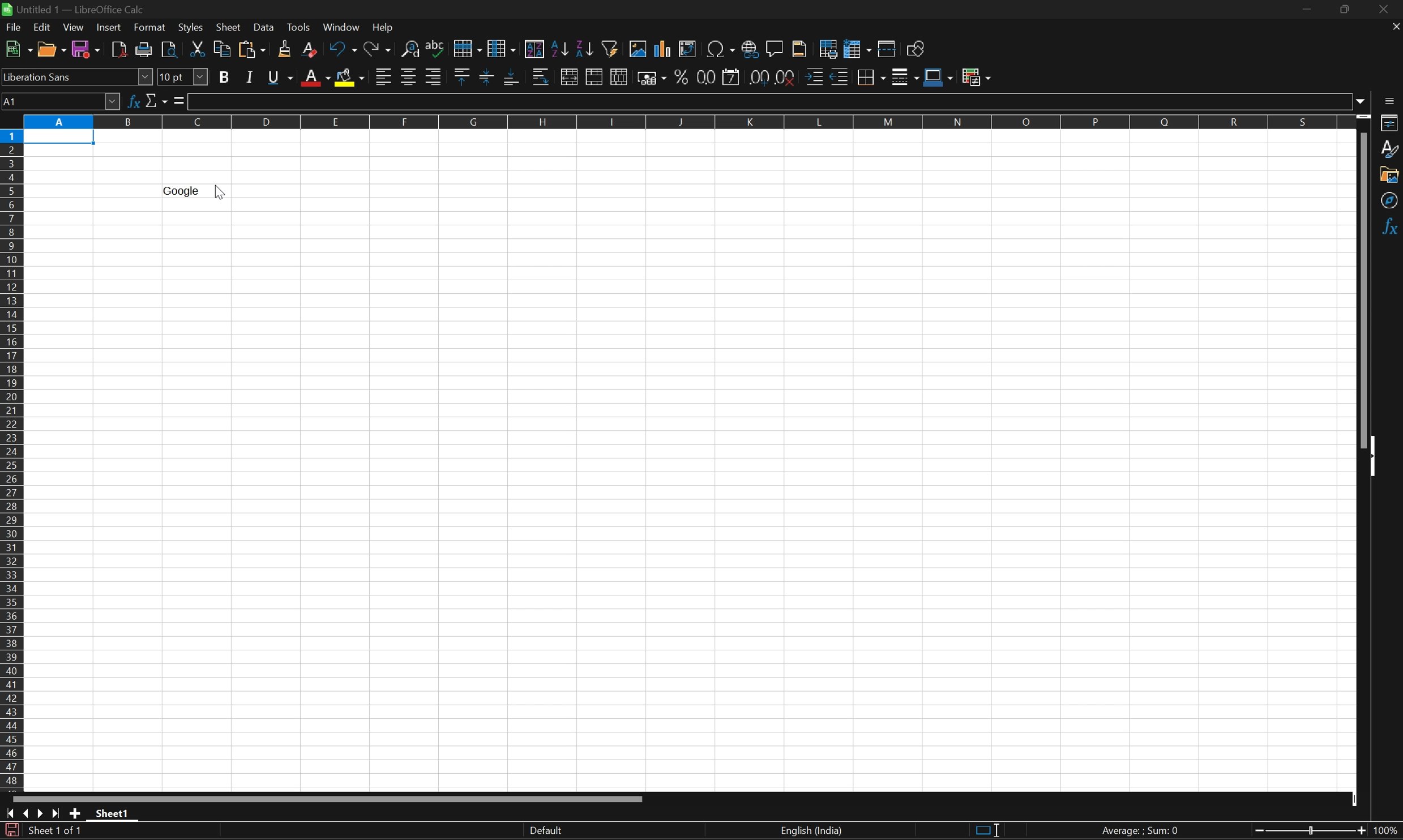  I want to click on Close, so click(1387, 10).